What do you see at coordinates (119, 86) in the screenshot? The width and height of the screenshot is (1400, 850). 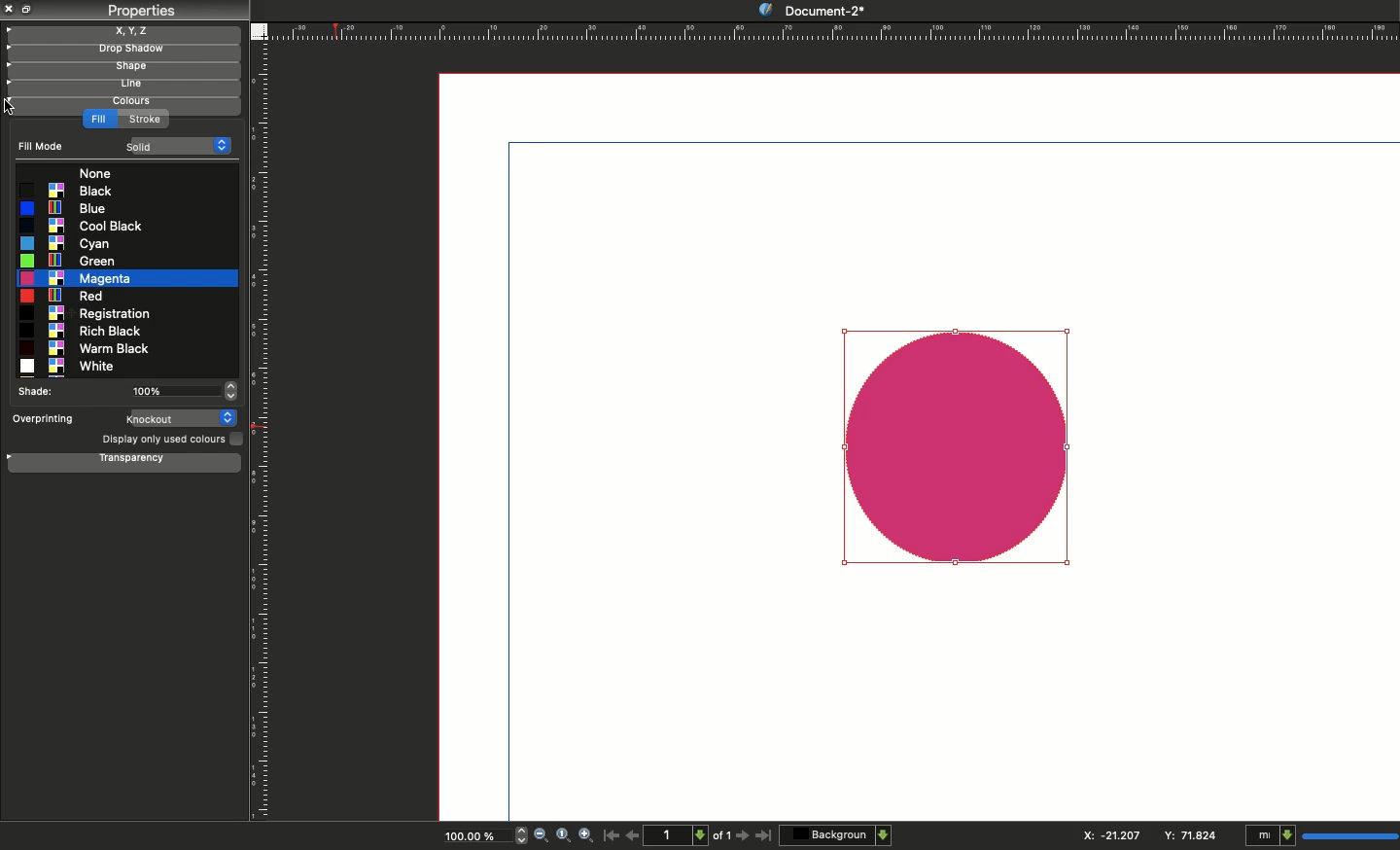 I see `Line` at bounding box center [119, 86].